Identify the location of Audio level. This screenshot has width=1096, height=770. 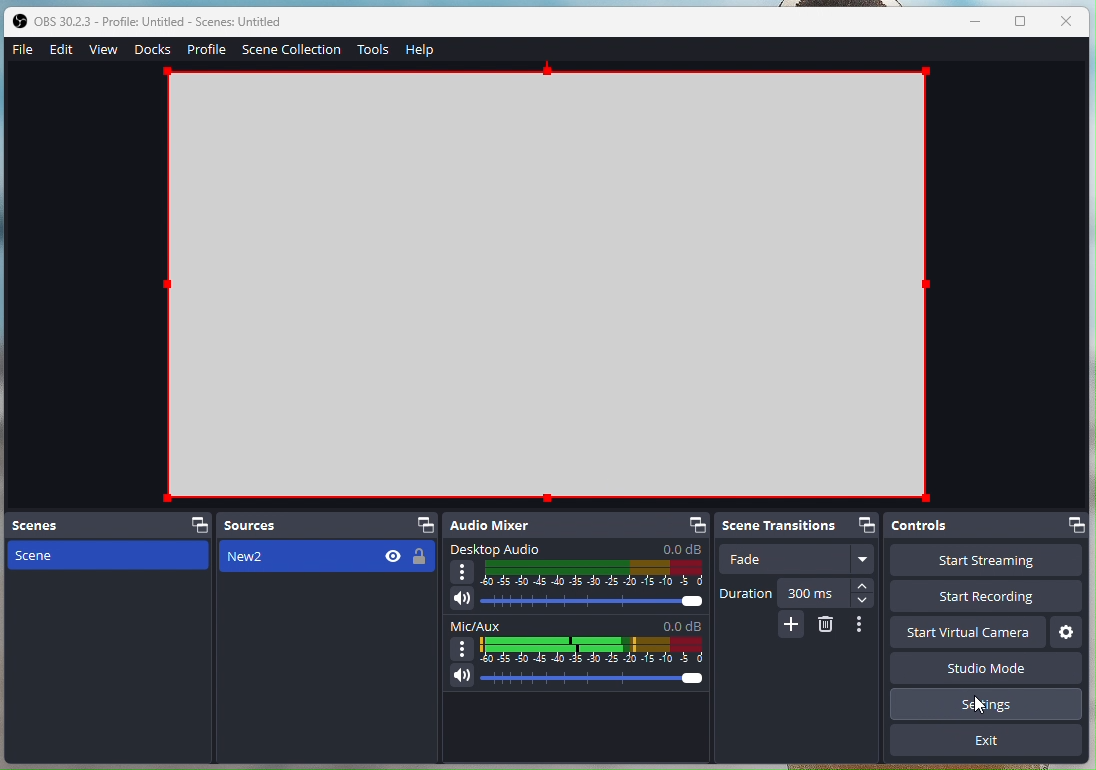
(593, 573).